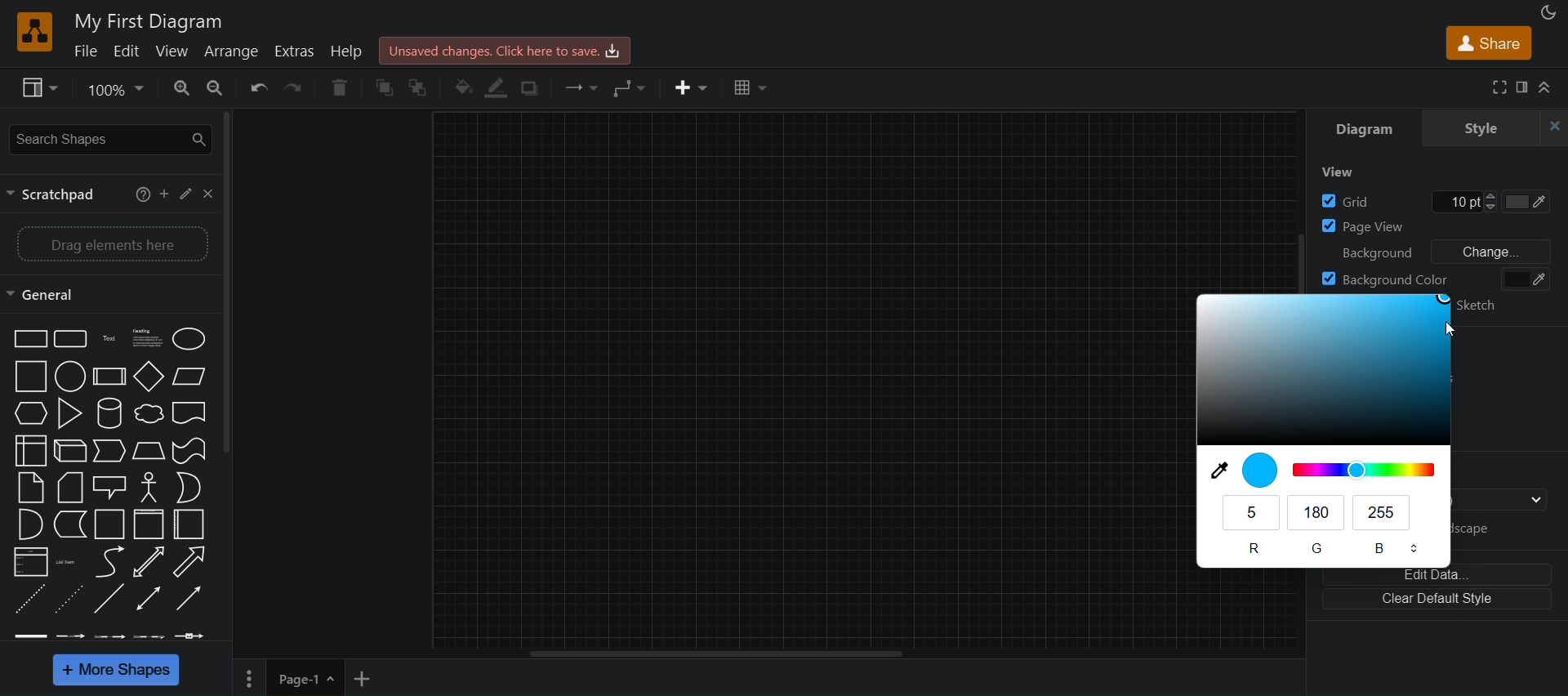 This screenshot has height=696, width=1568. I want to click on zoom in, so click(174, 88).